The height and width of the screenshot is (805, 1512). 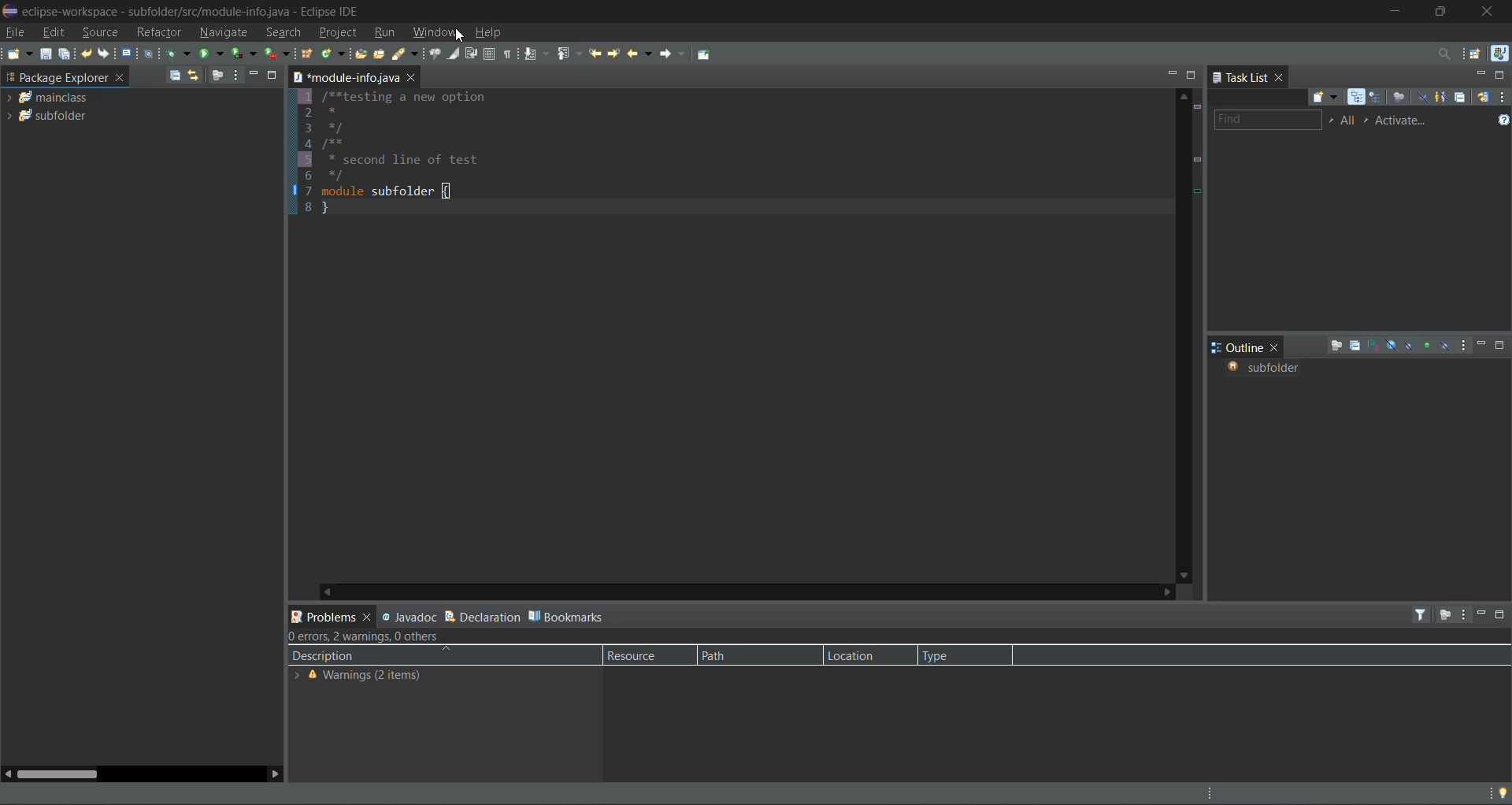 I want to click on app title and file name, so click(x=194, y=9).